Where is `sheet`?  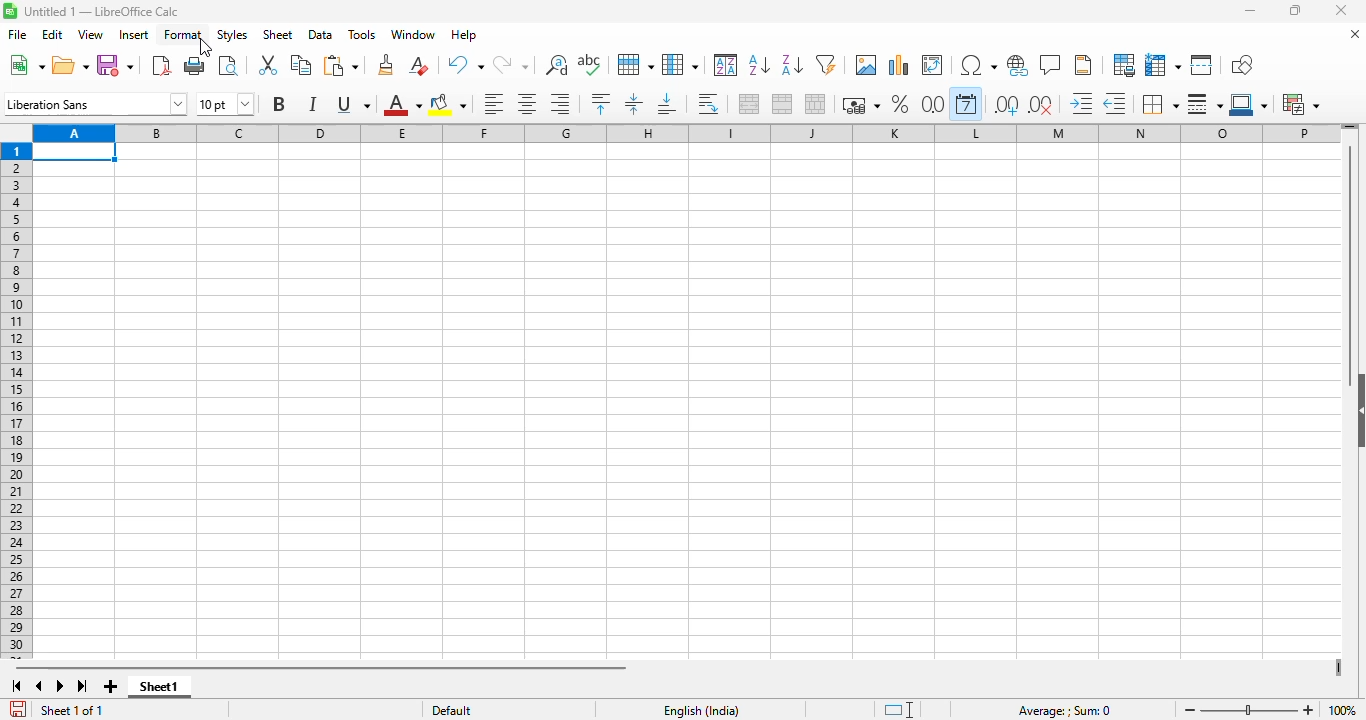 sheet is located at coordinates (277, 35).